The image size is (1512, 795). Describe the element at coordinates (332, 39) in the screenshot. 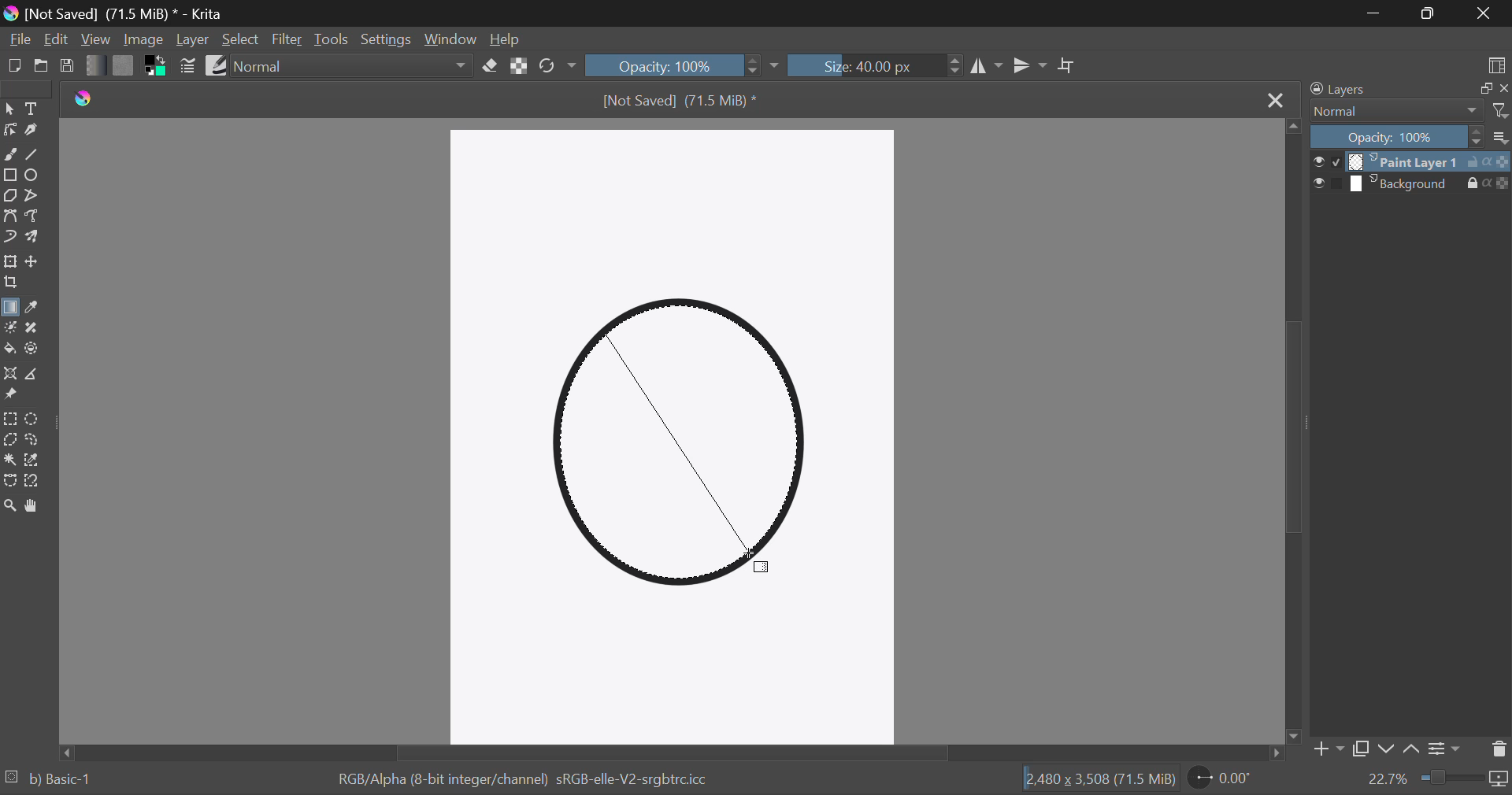

I see `Tools` at that location.